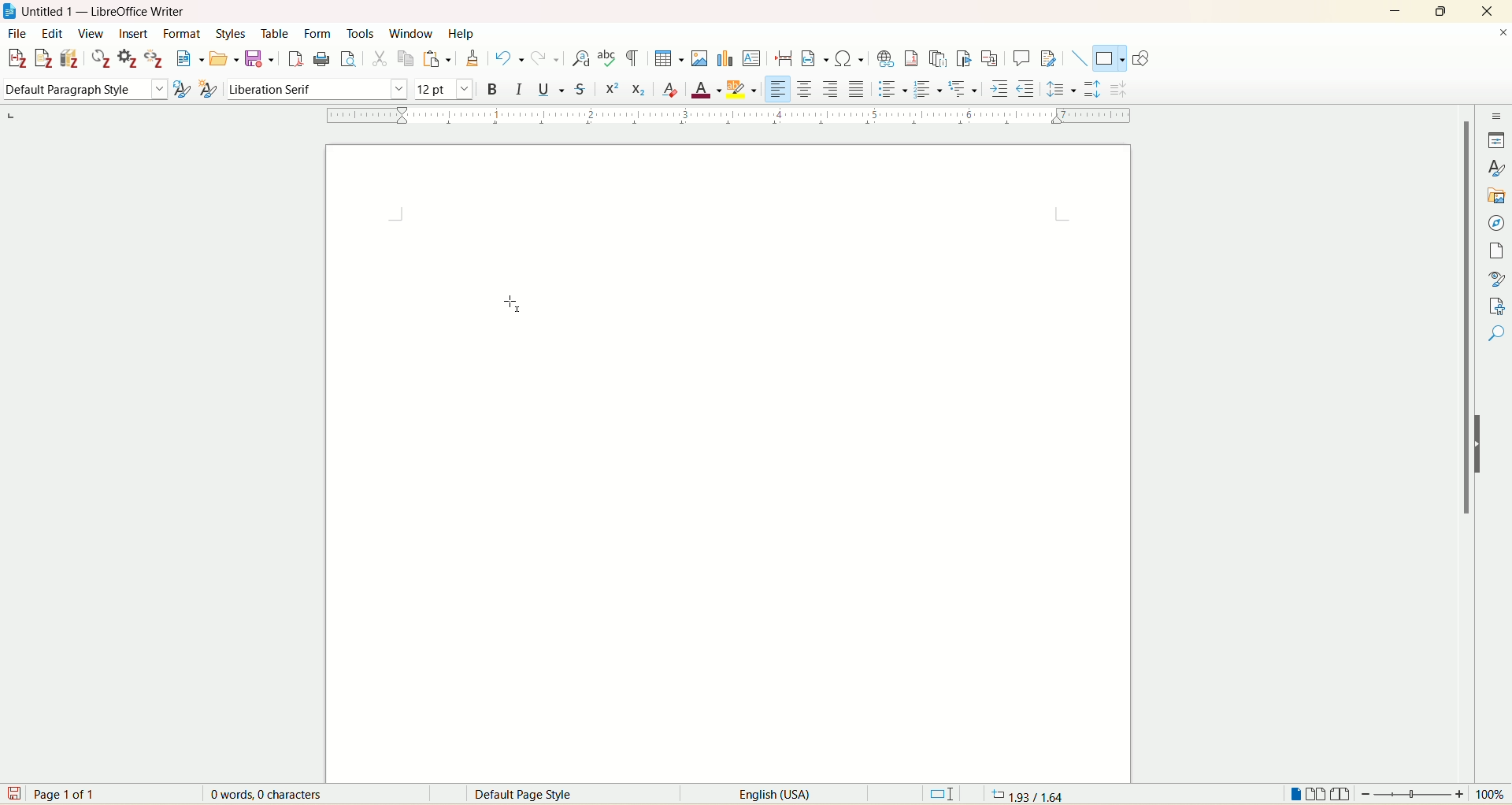  What do you see at coordinates (1499, 251) in the screenshot?
I see `page ` at bounding box center [1499, 251].